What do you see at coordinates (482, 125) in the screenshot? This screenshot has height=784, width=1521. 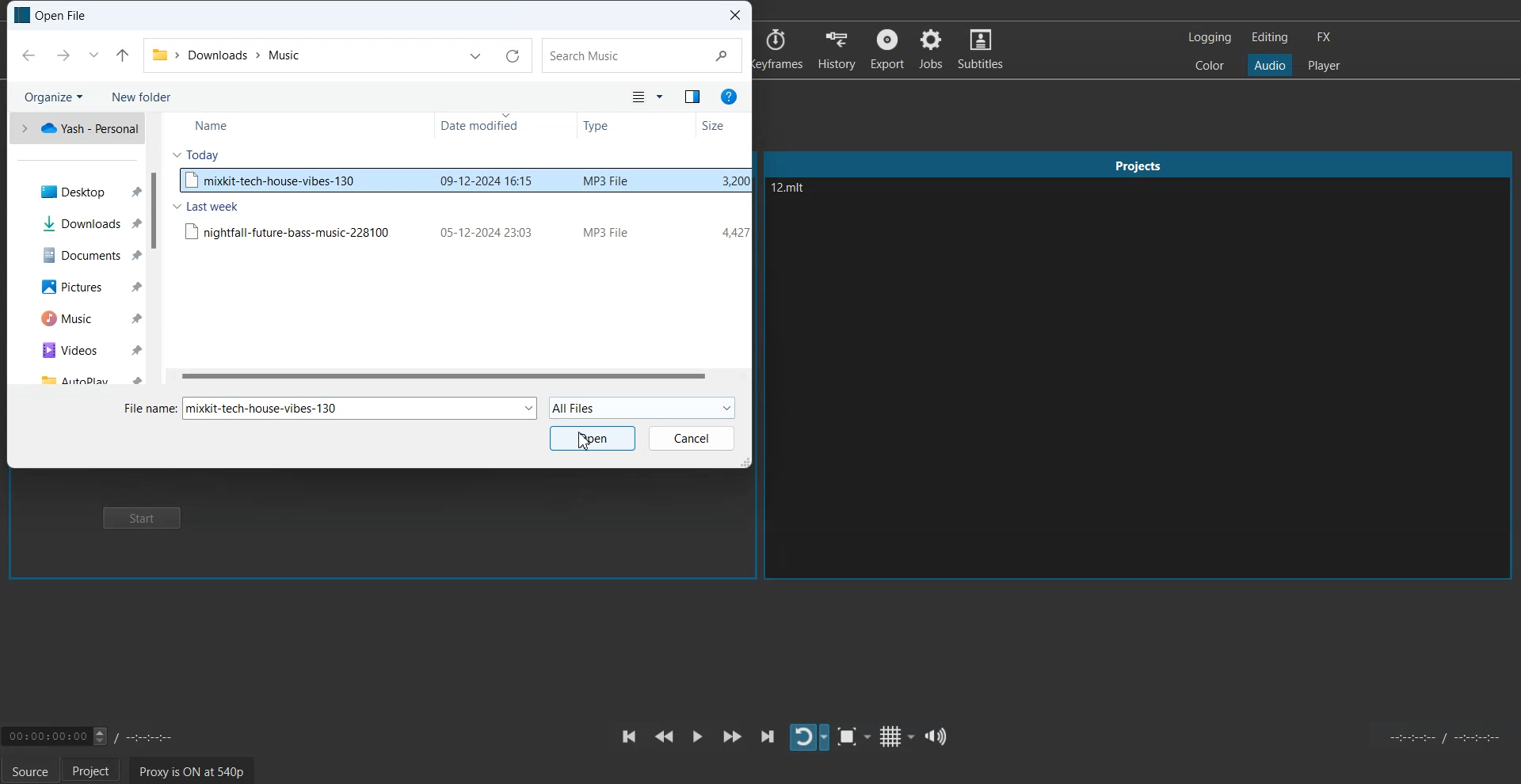 I see `Date modified` at bounding box center [482, 125].